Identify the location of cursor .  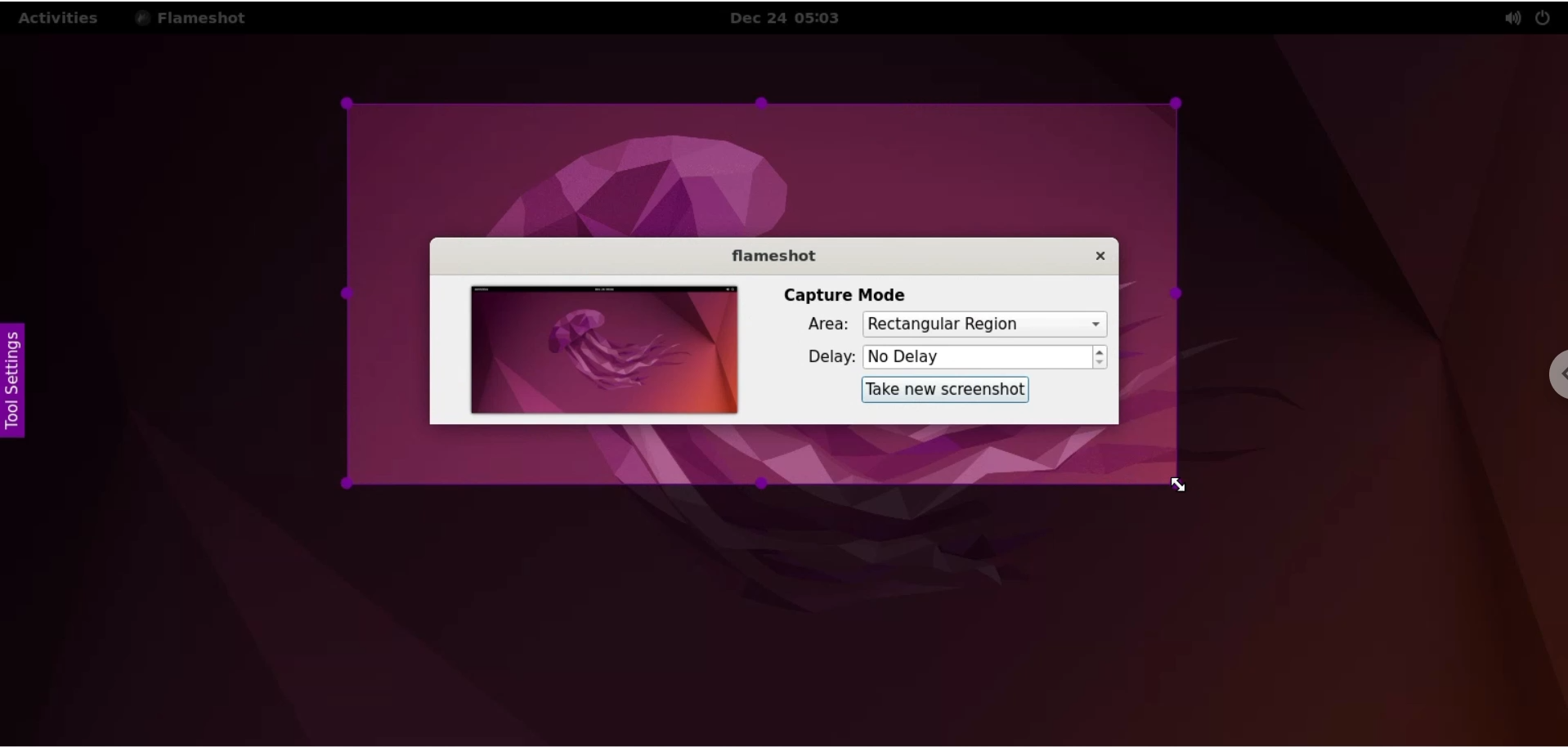
(1176, 483).